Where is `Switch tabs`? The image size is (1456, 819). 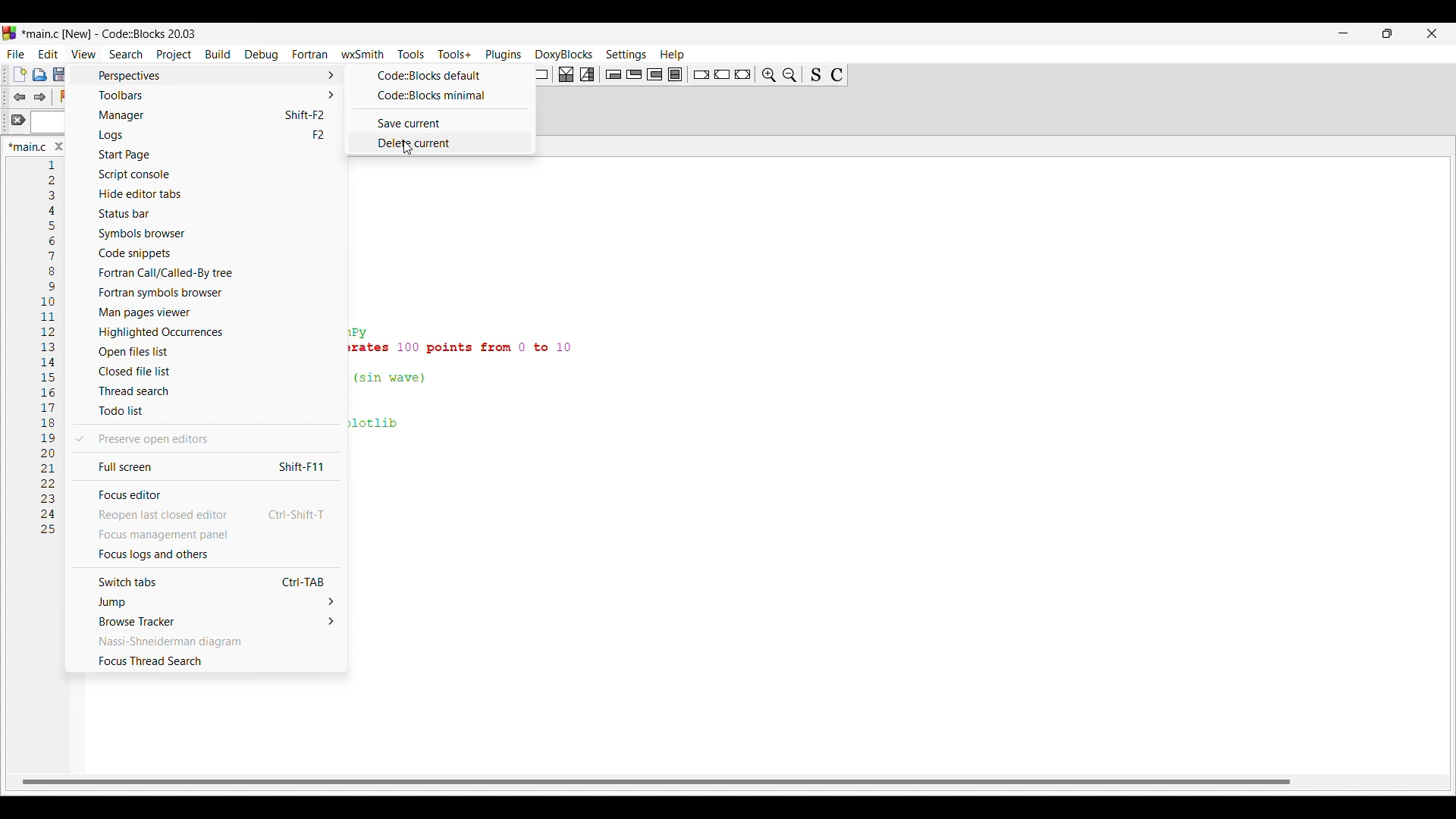 Switch tabs is located at coordinates (204, 581).